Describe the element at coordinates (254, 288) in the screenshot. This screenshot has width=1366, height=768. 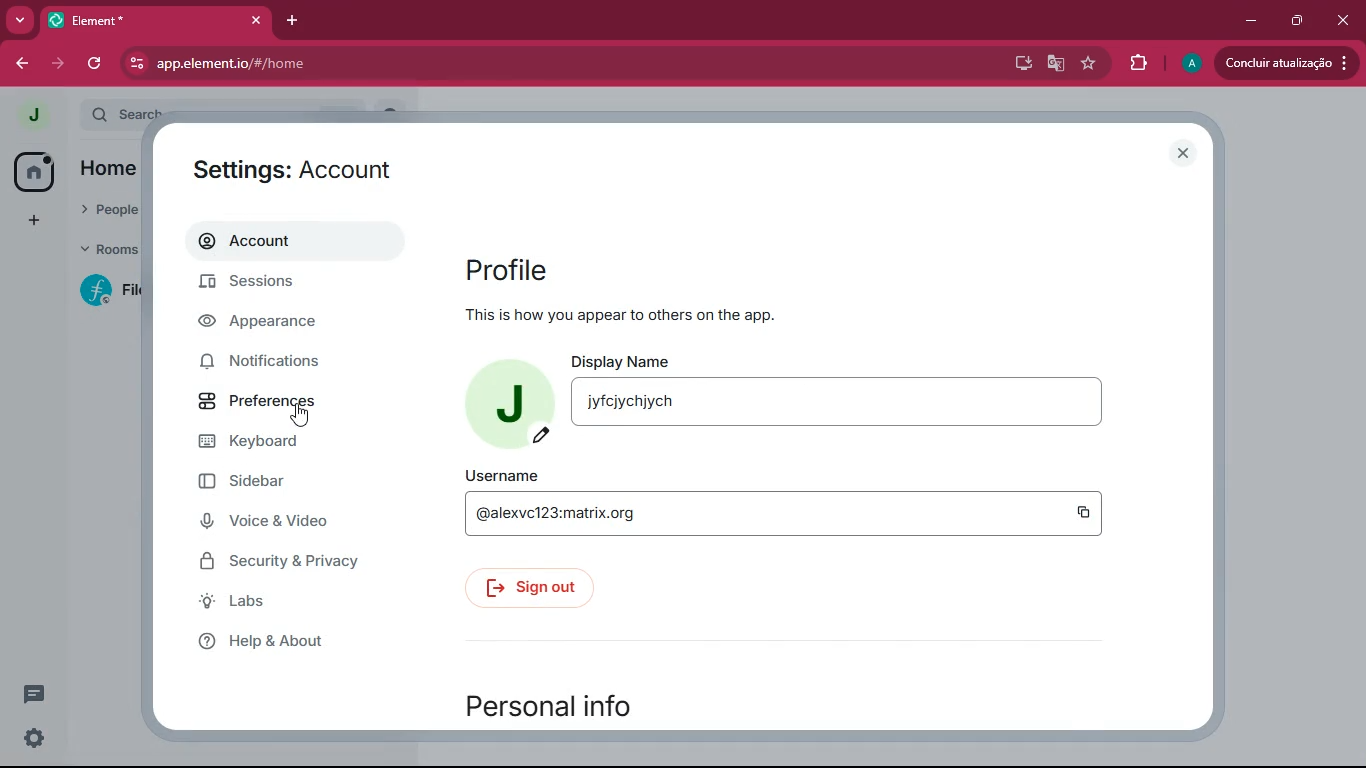
I see `sessions` at that location.